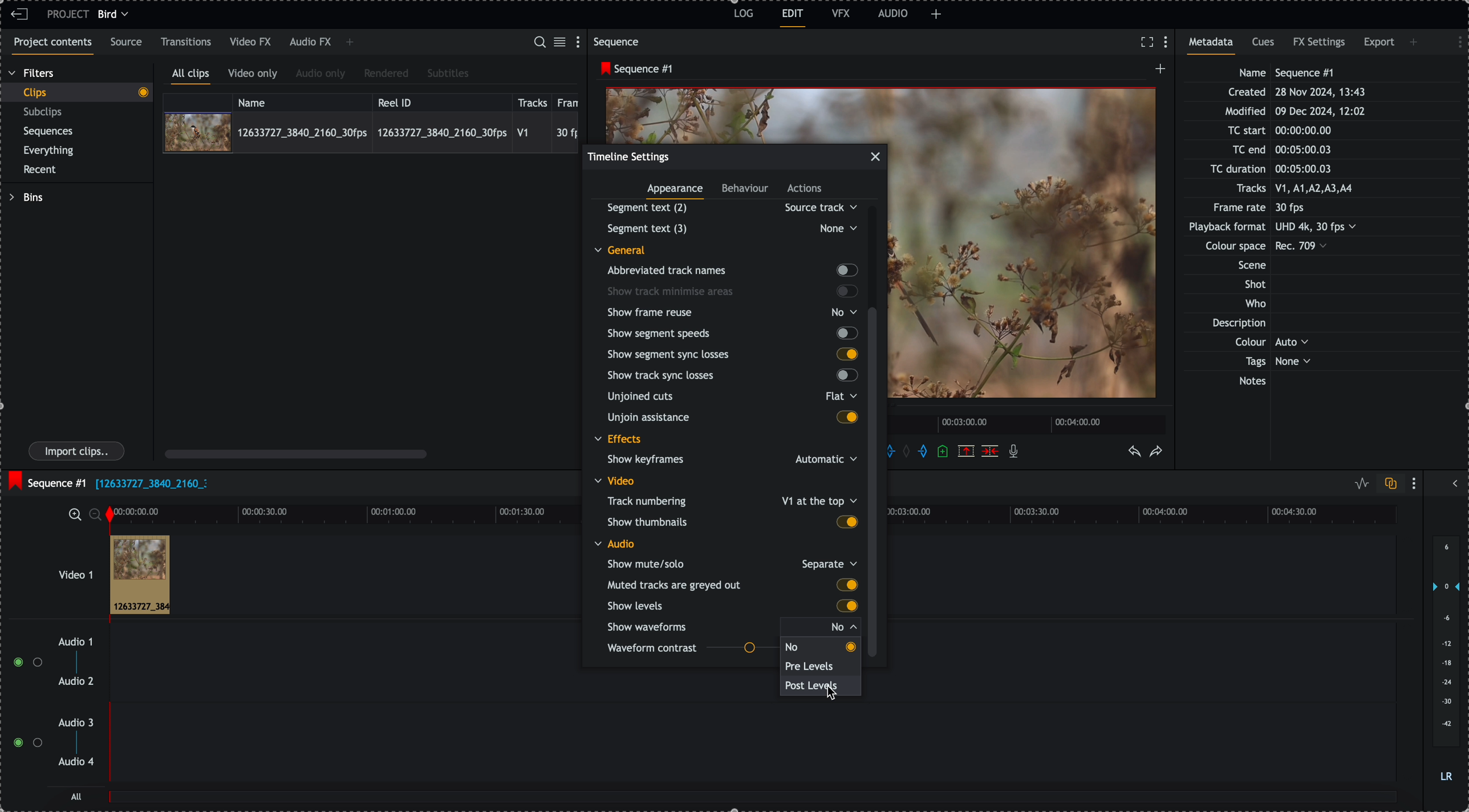  I want to click on tracks, so click(533, 101).